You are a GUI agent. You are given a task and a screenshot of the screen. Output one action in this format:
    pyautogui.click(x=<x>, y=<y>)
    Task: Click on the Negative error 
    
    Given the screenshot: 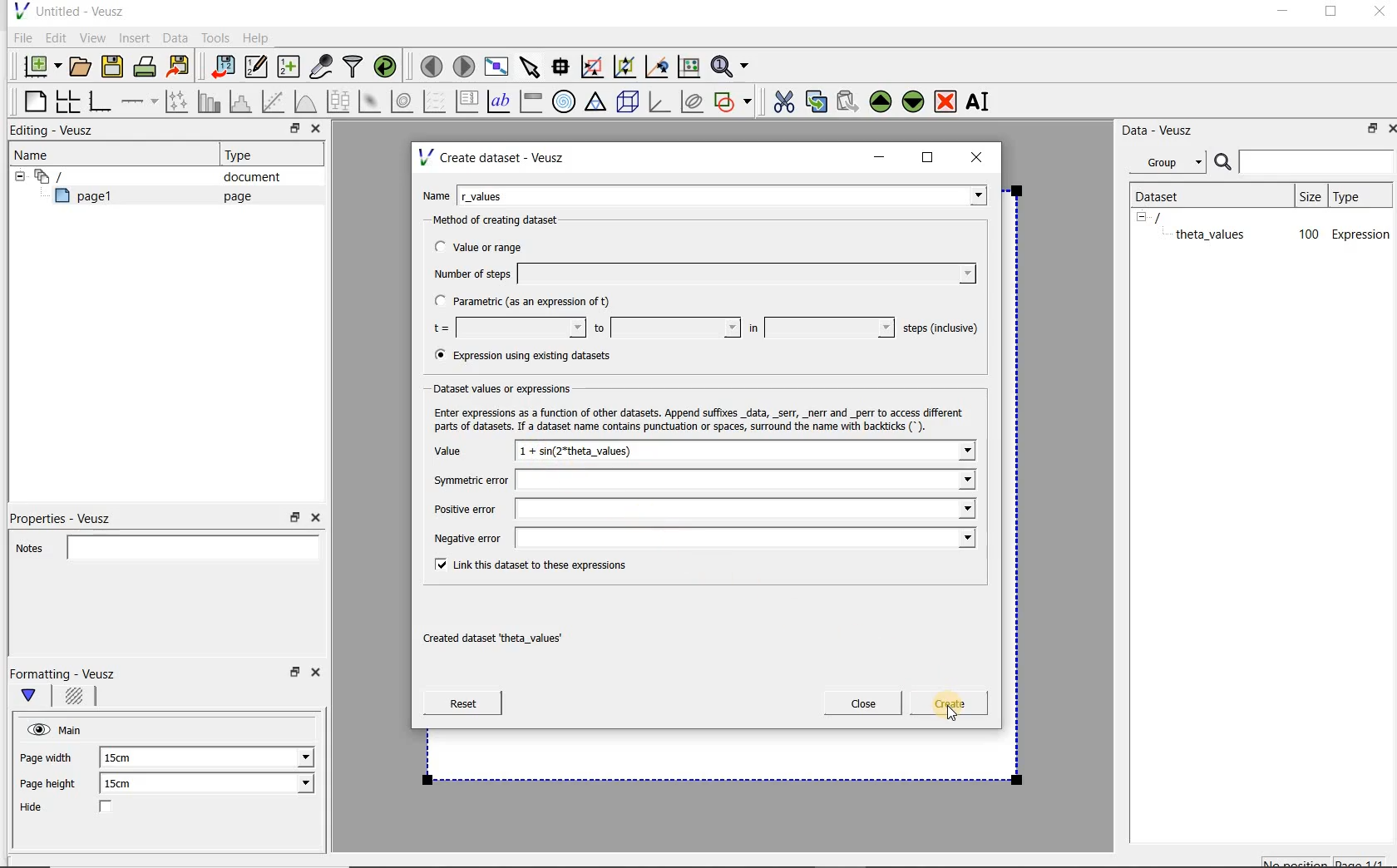 What is the action you would take?
    pyautogui.click(x=697, y=537)
    